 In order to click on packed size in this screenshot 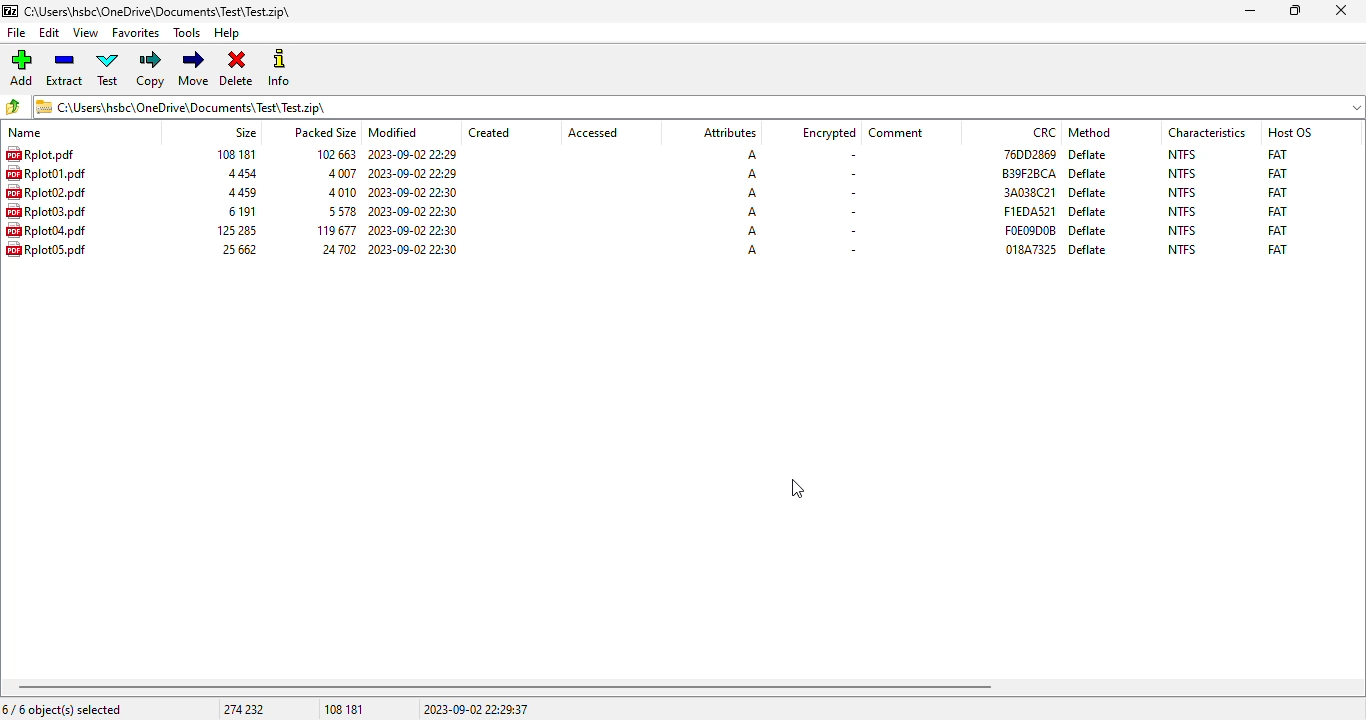, I will do `click(338, 211)`.